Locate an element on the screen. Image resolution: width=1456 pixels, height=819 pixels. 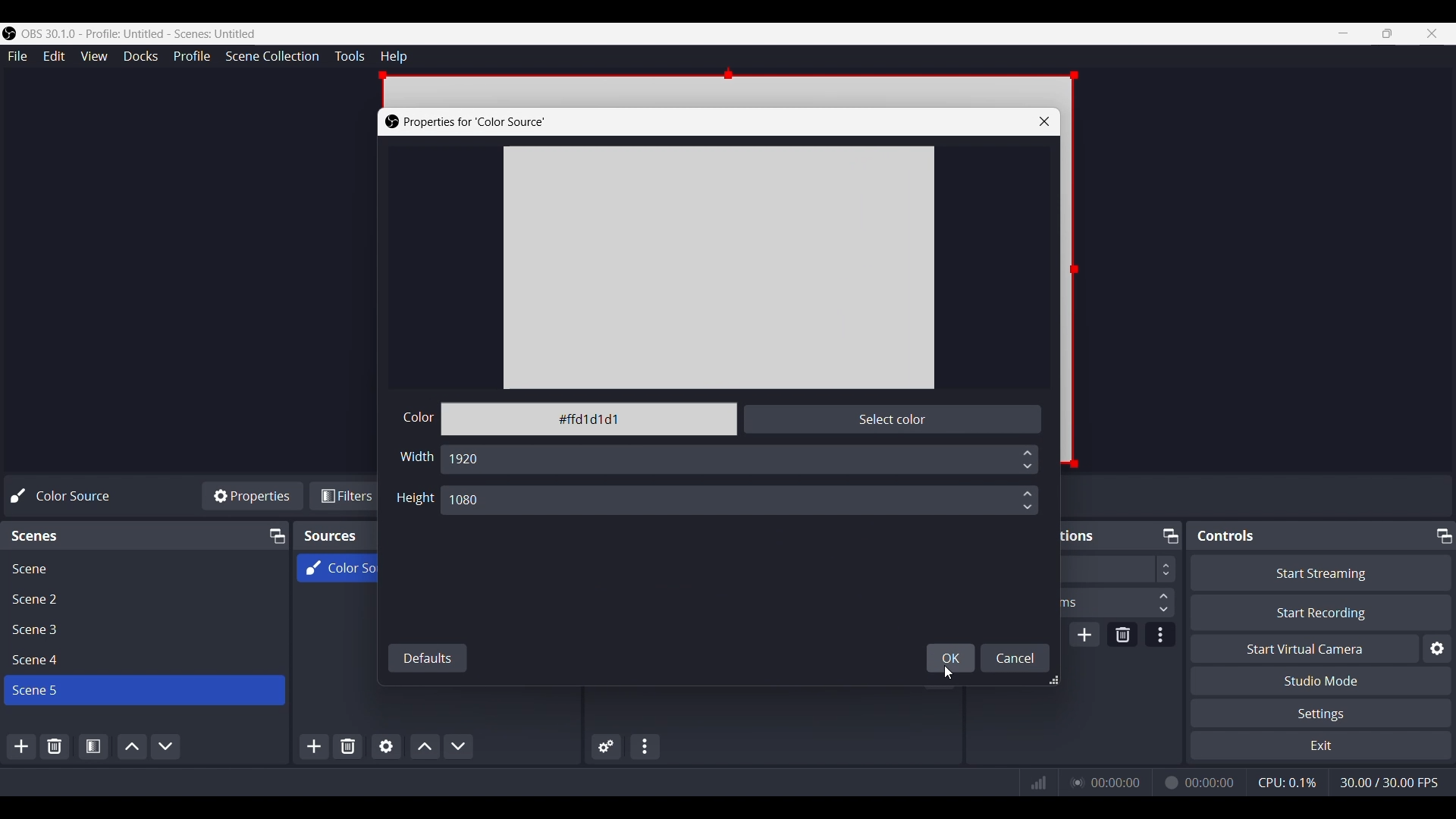
1080 is located at coordinates (476, 502).